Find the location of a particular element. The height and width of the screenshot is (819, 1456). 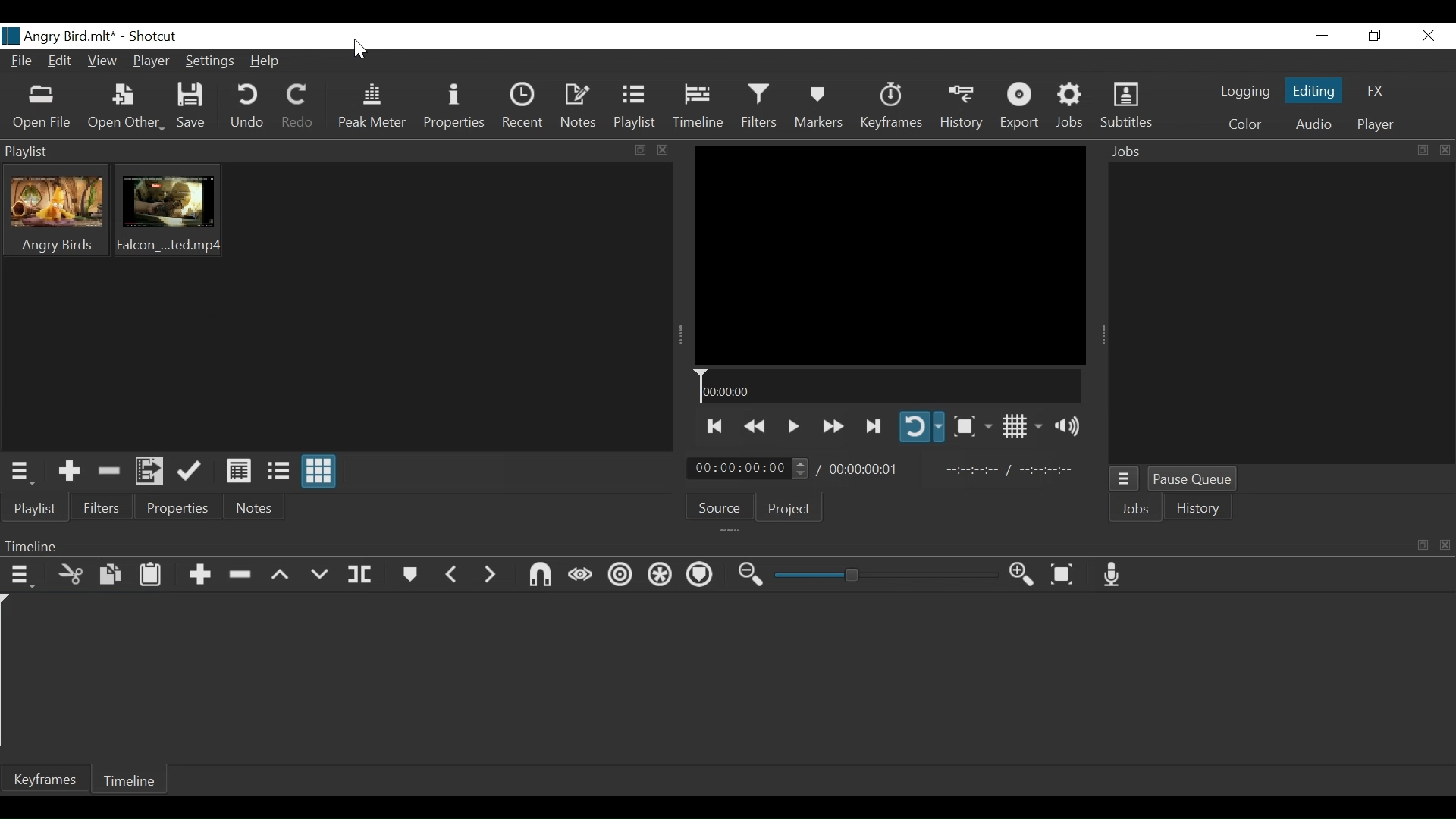

Ripple is located at coordinates (621, 578).